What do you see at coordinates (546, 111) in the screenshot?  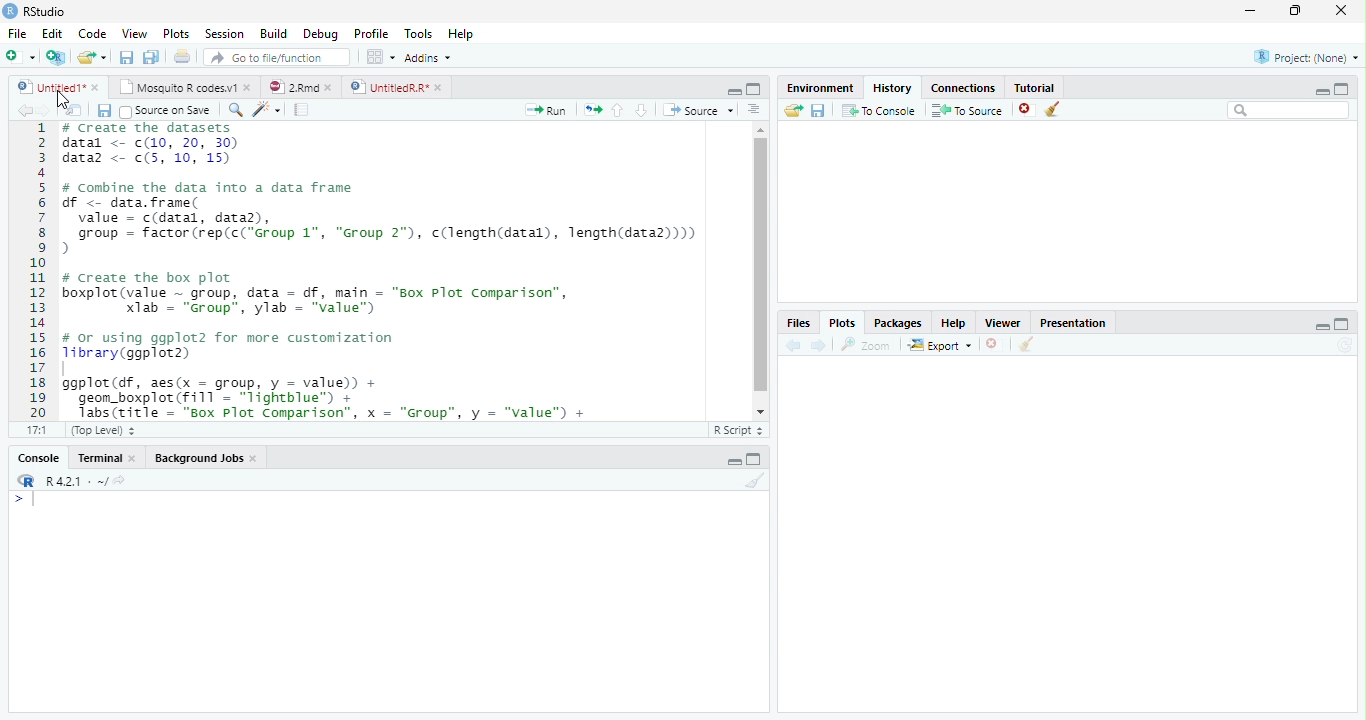 I see `Run` at bounding box center [546, 111].